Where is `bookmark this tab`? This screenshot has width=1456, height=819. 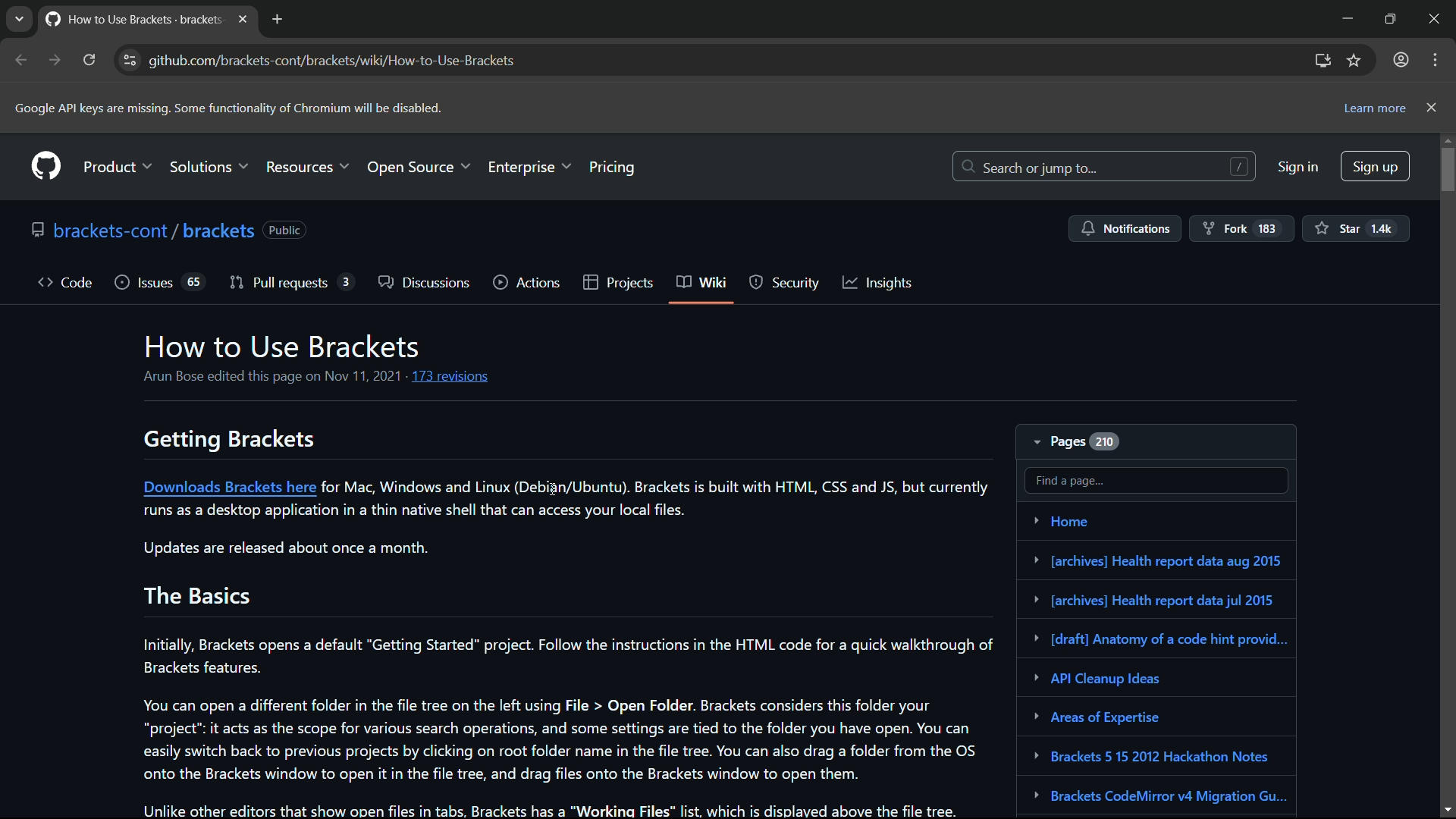
bookmark this tab is located at coordinates (1355, 60).